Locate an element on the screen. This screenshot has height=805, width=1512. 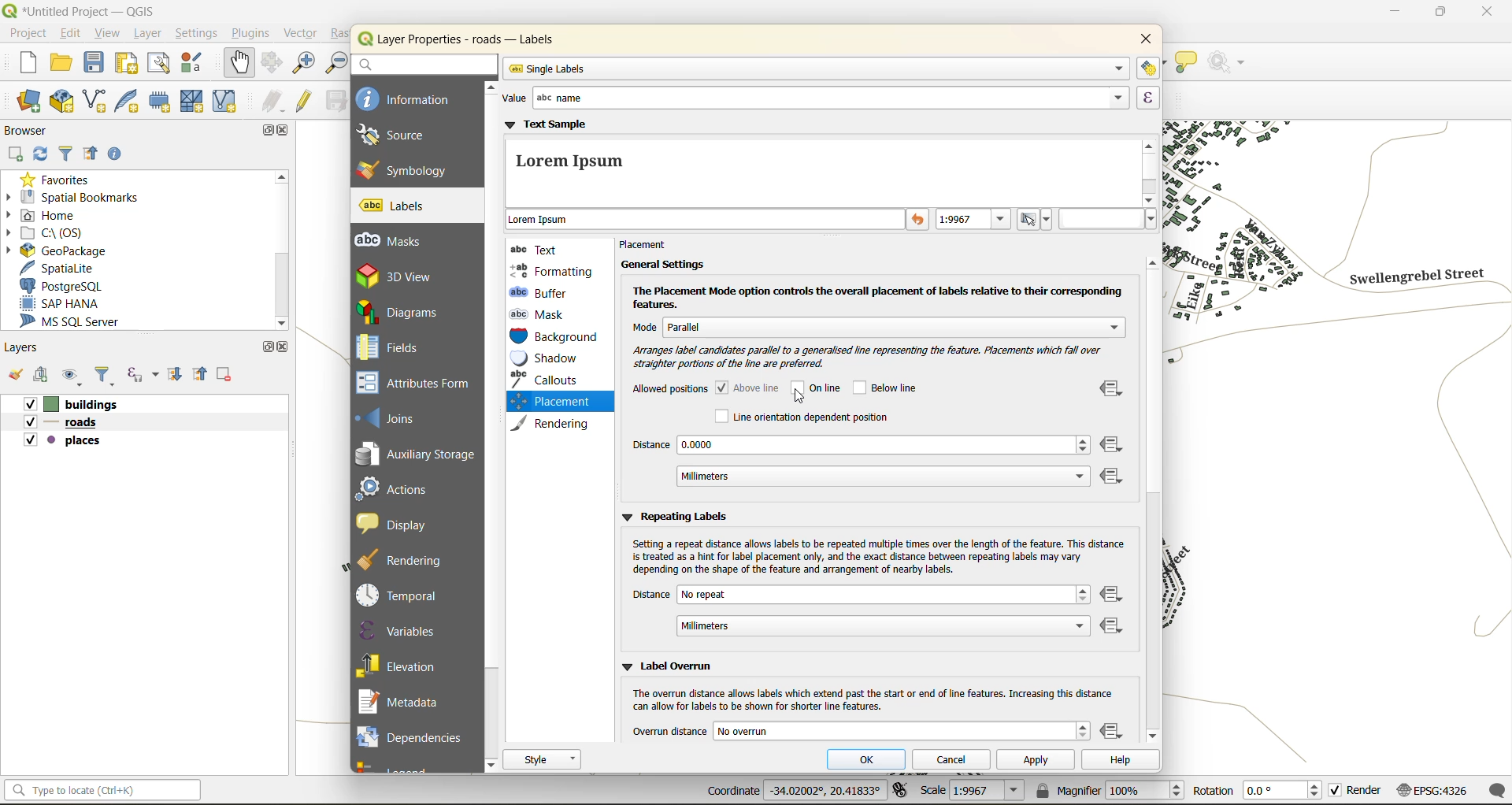
set to current scale is located at coordinates (1036, 220).